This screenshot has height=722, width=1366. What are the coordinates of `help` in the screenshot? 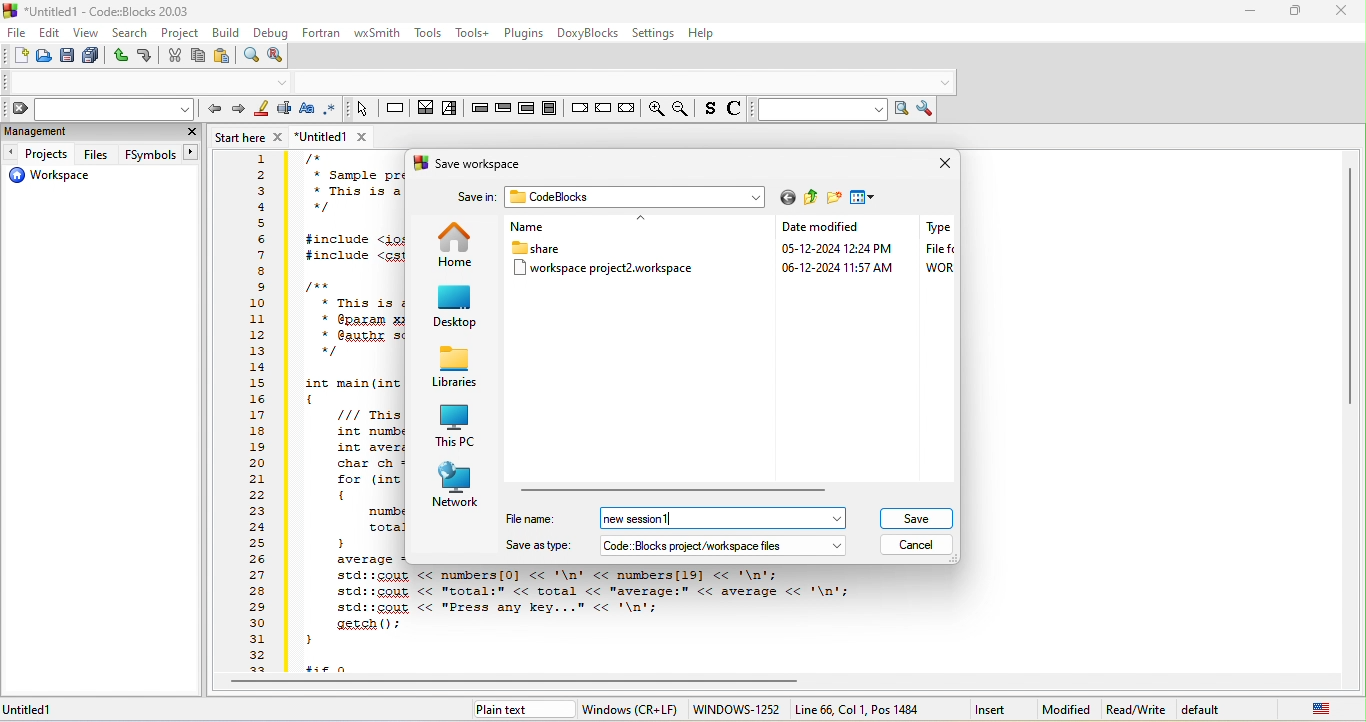 It's located at (702, 33).